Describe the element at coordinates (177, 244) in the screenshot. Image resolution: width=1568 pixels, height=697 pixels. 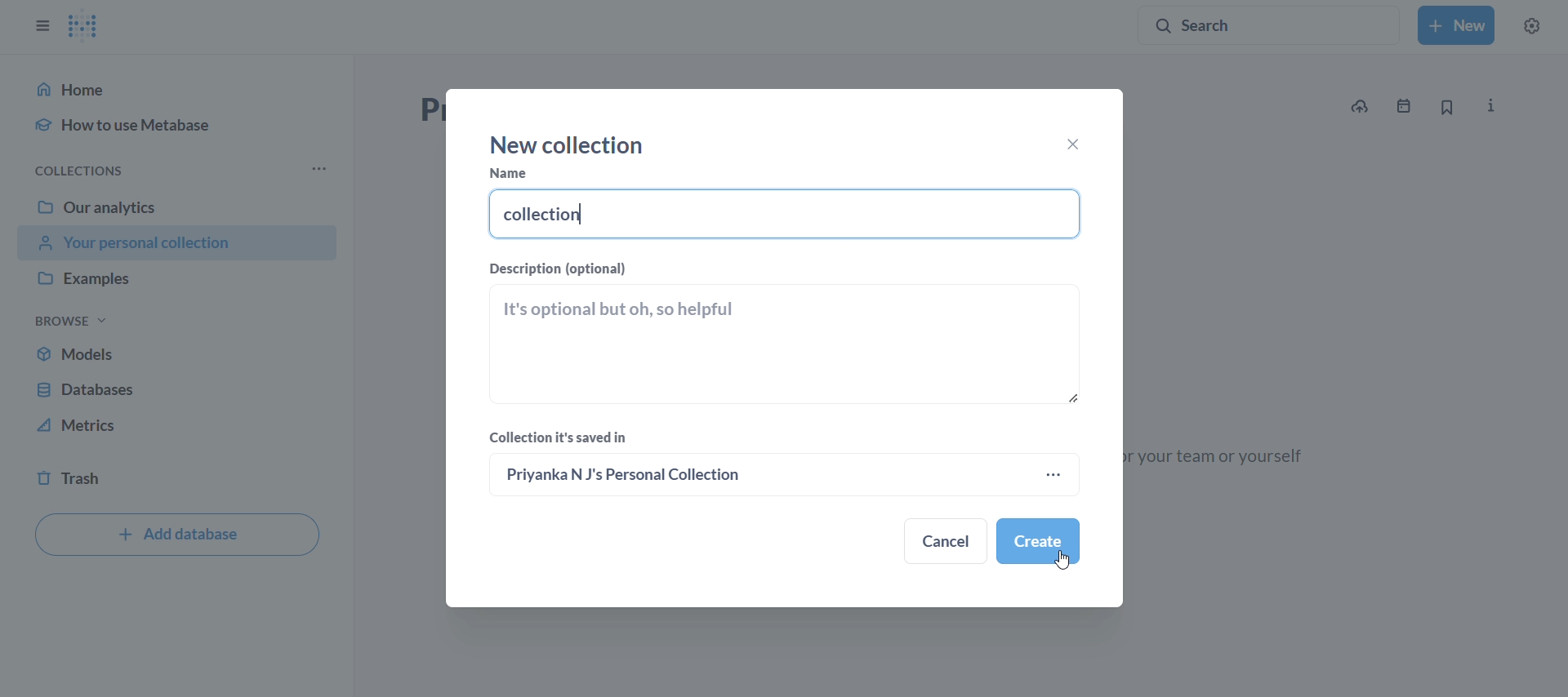
I see `your personal collection` at that location.